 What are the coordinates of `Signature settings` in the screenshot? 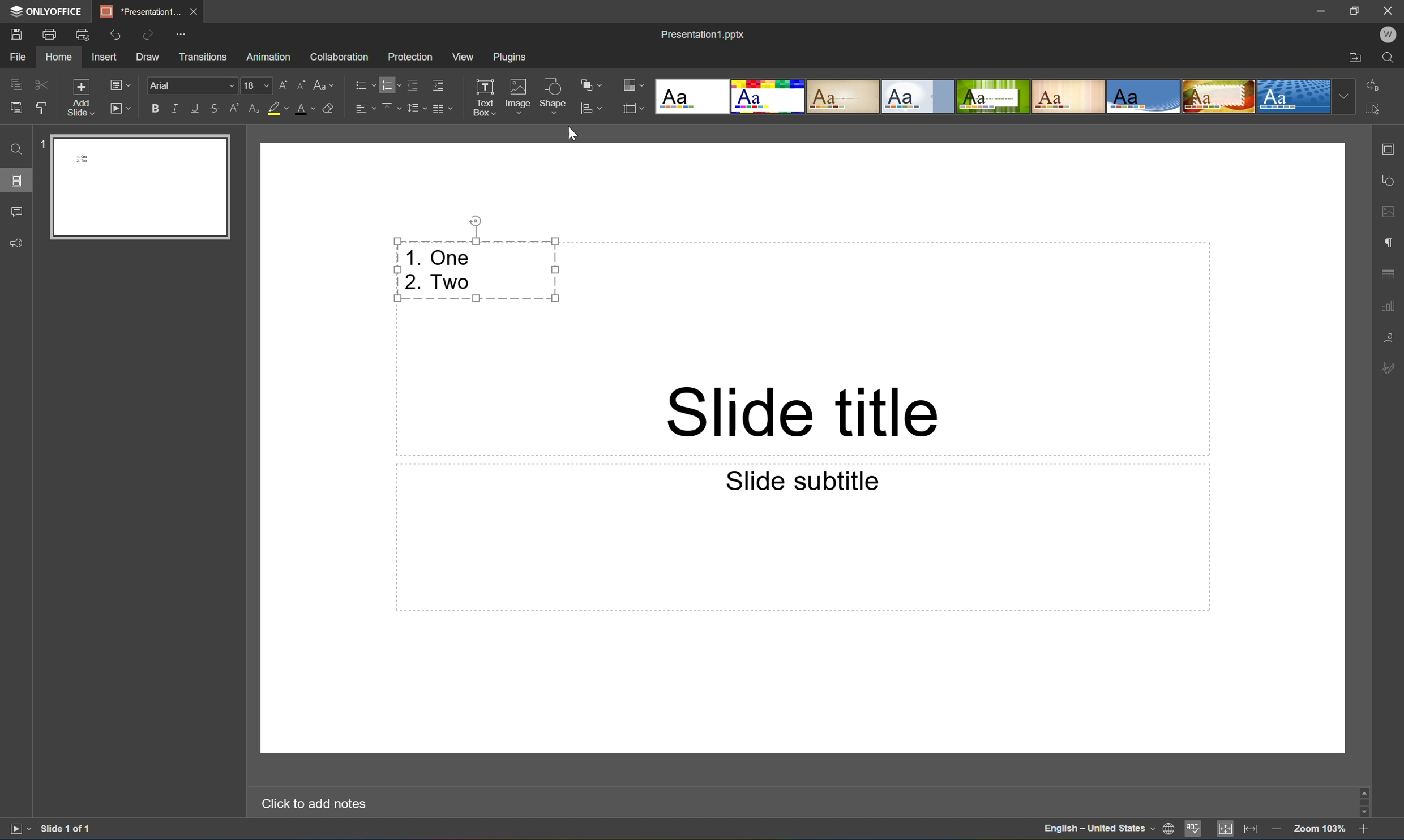 It's located at (1391, 368).